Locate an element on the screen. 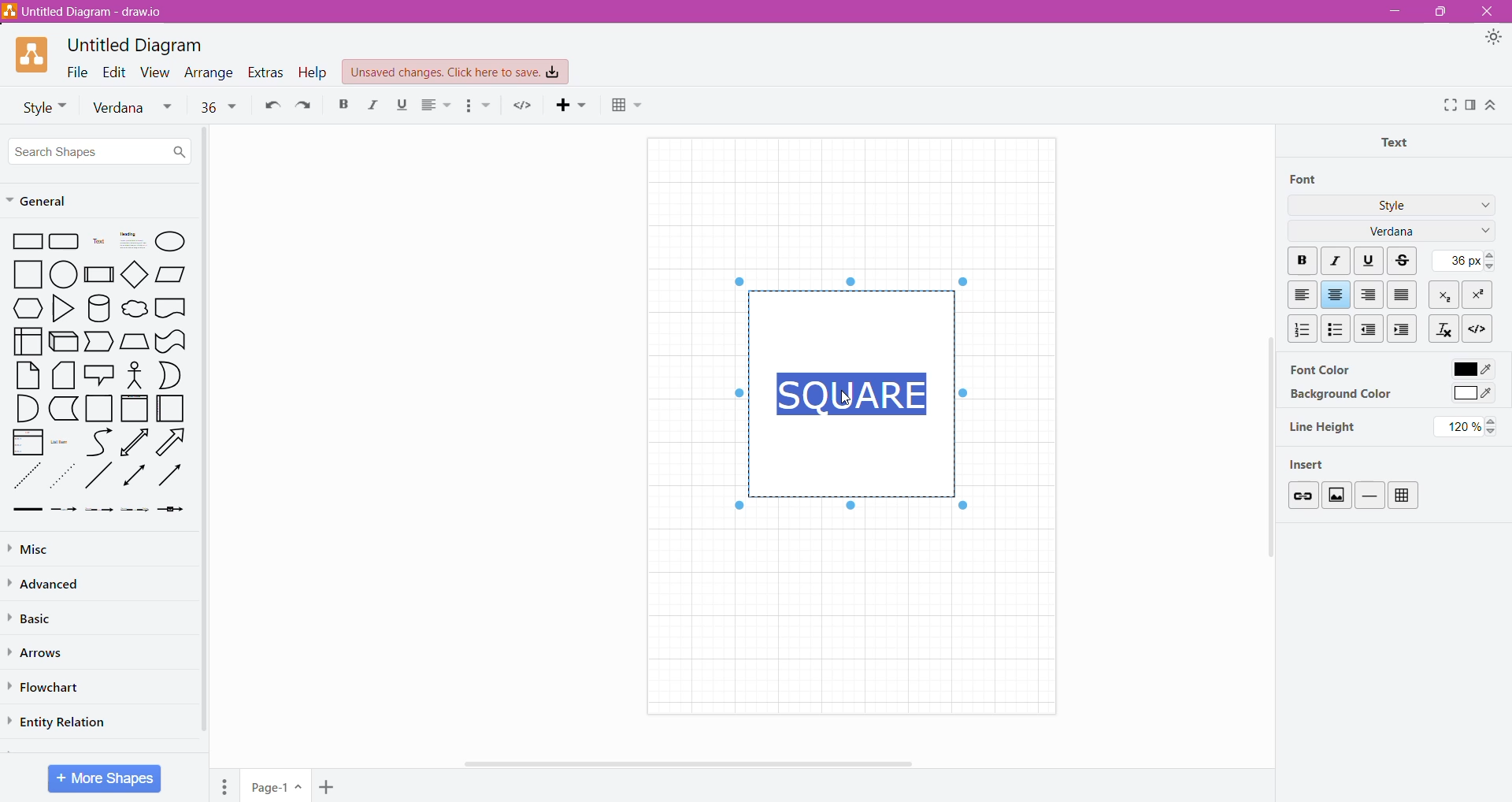 The height and width of the screenshot is (802, 1512). Quarter Circle is located at coordinates (25, 407).